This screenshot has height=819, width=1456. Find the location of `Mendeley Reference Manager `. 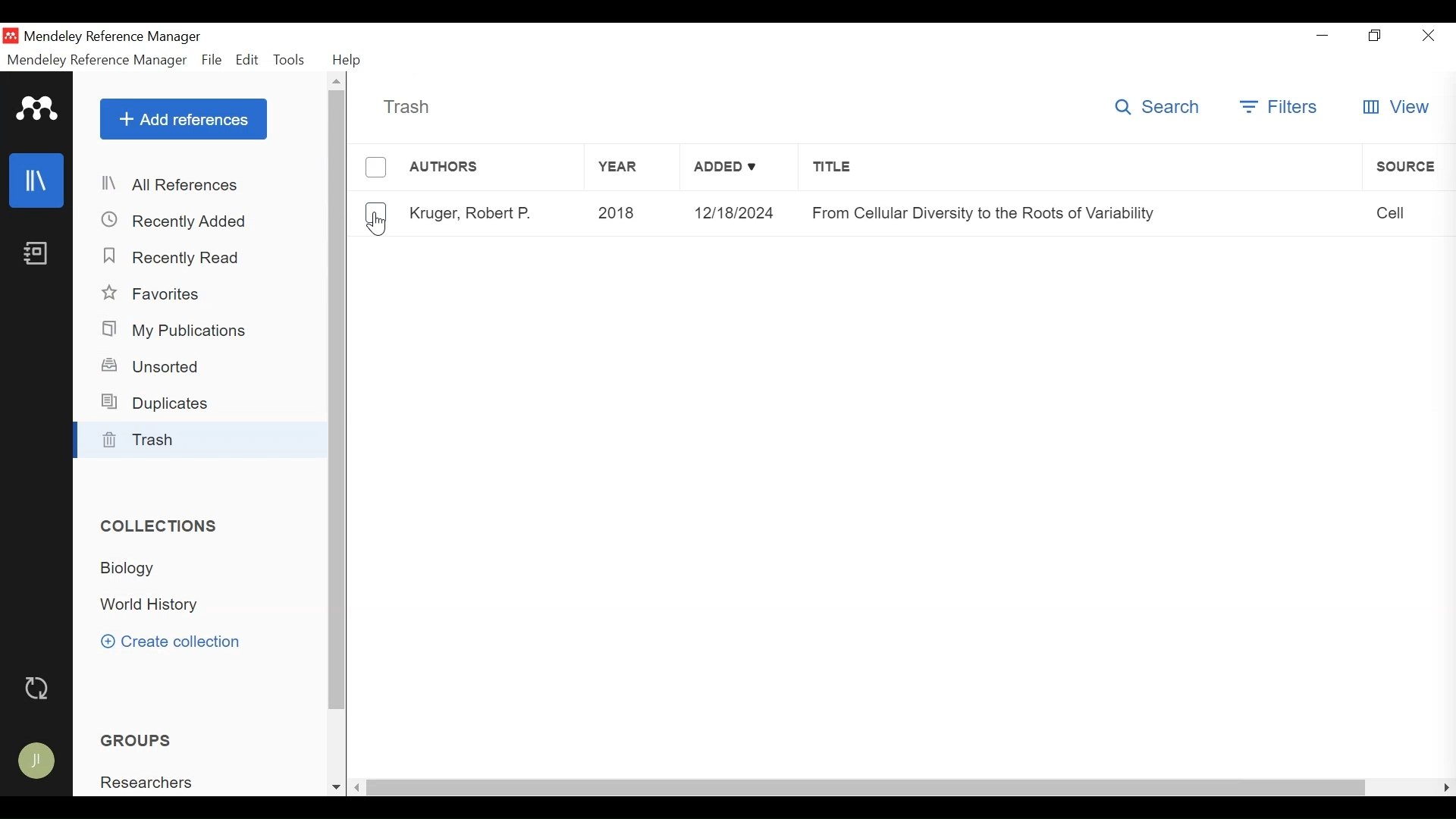

Mendeley Reference Manager  is located at coordinates (95, 60).